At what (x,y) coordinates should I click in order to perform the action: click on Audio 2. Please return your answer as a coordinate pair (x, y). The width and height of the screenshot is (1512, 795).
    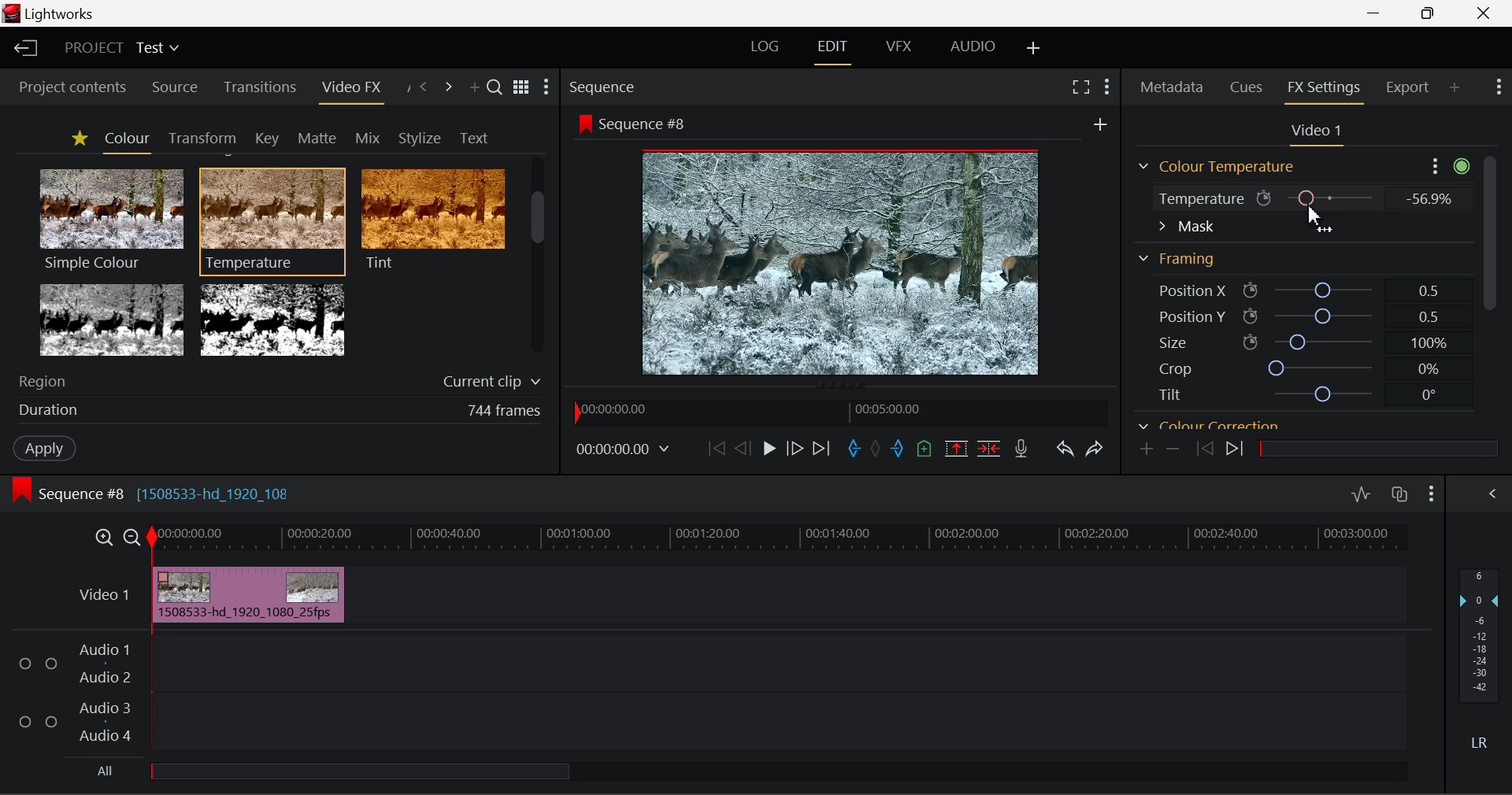
    Looking at the image, I should click on (98, 675).